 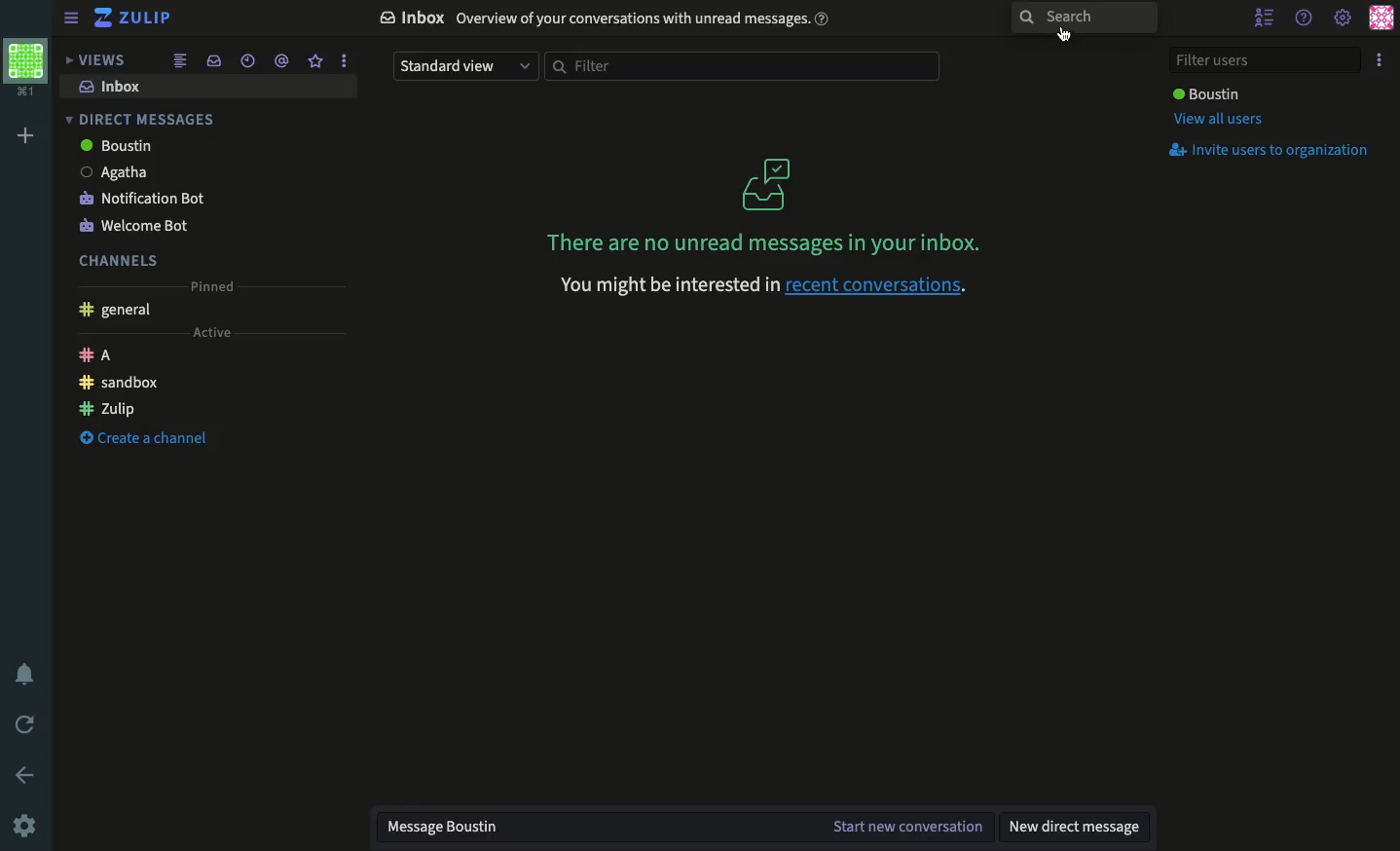 I want to click on Search, so click(x=1084, y=18).